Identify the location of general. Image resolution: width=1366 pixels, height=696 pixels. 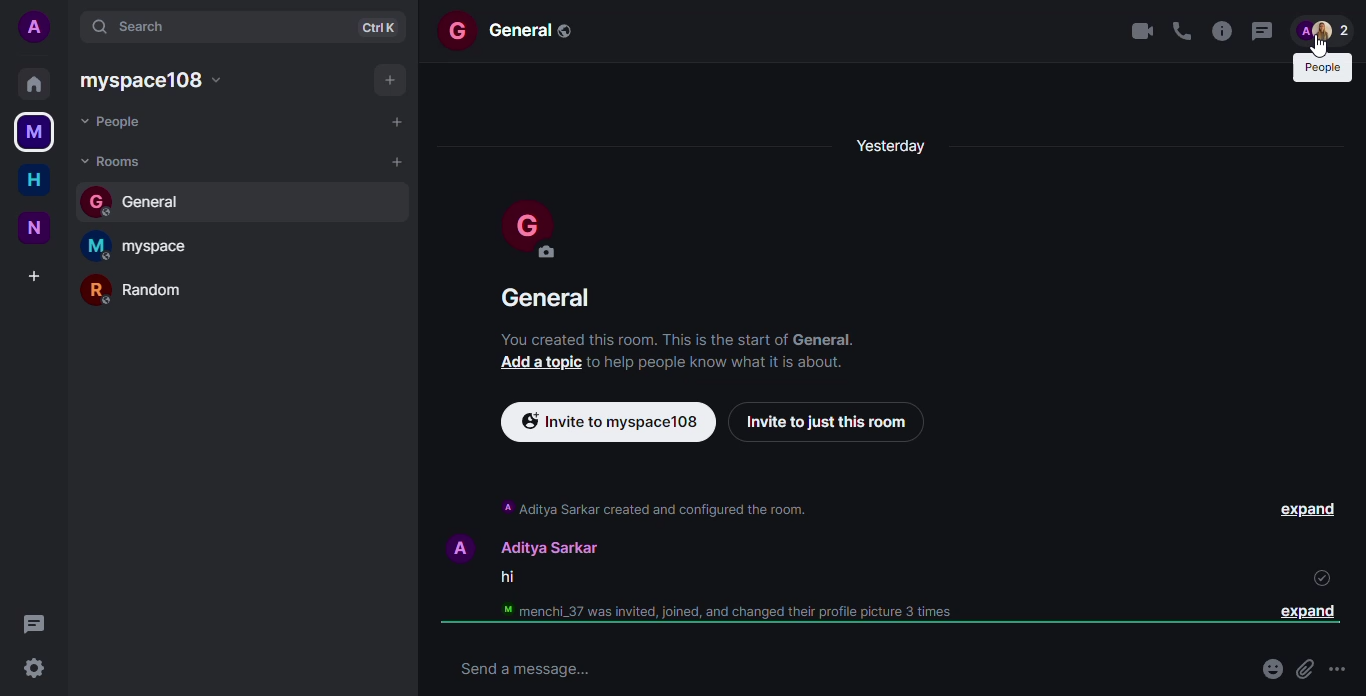
(142, 200).